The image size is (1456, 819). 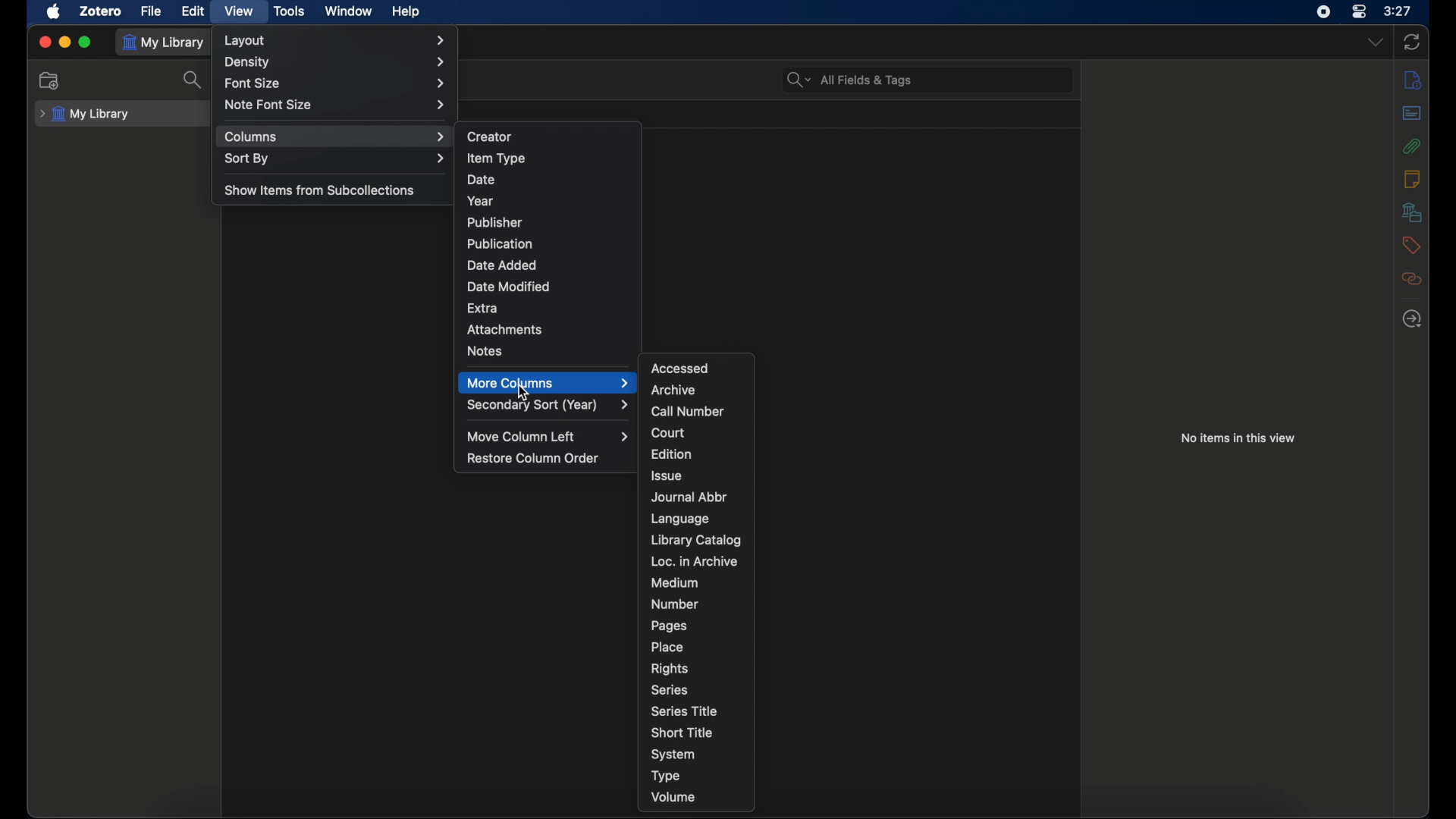 What do you see at coordinates (335, 159) in the screenshot?
I see `sort by` at bounding box center [335, 159].